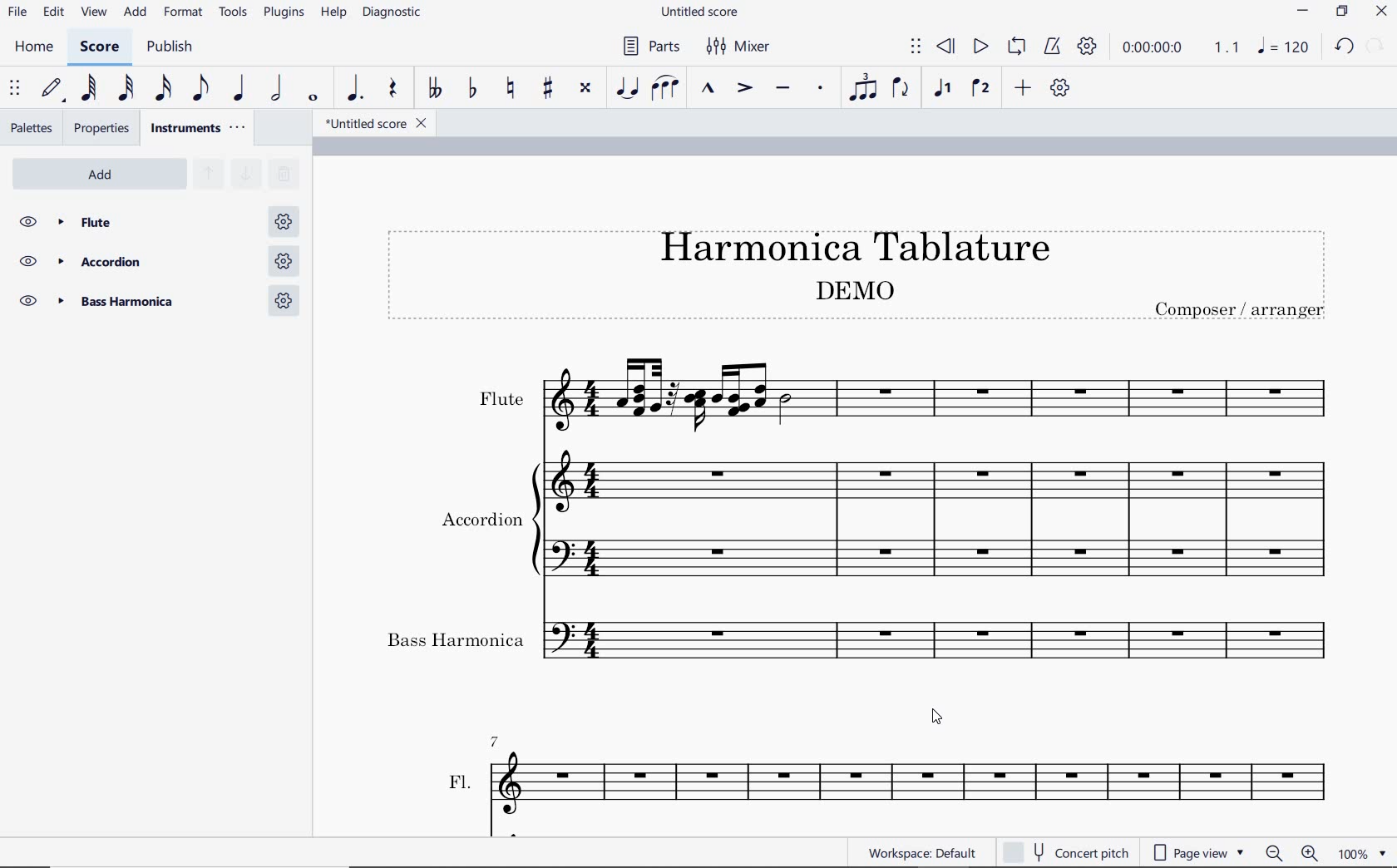 This screenshot has height=868, width=1397. Describe the element at coordinates (104, 128) in the screenshot. I see `properties` at that location.